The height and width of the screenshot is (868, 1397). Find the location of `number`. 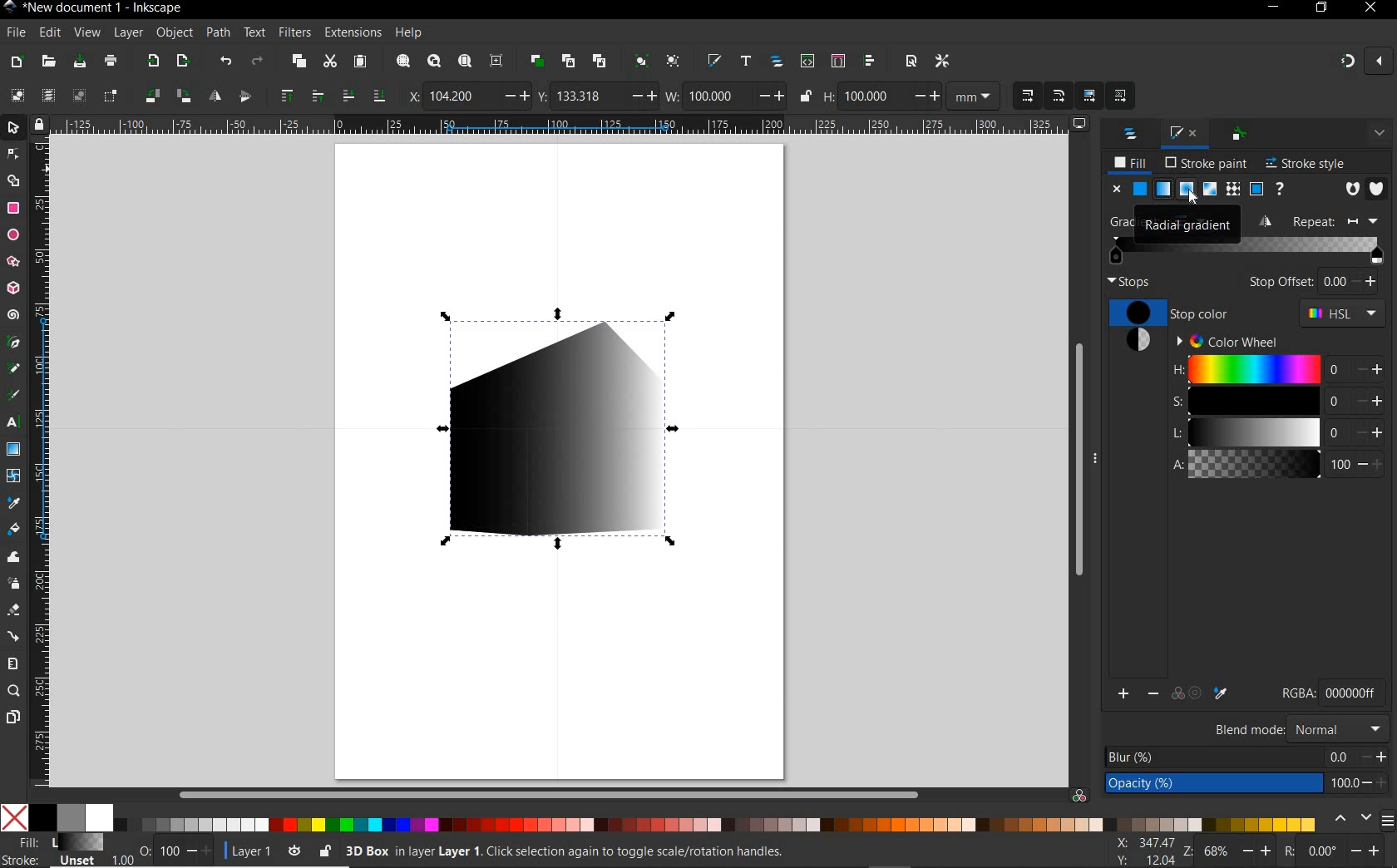

number is located at coordinates (1337, 416).